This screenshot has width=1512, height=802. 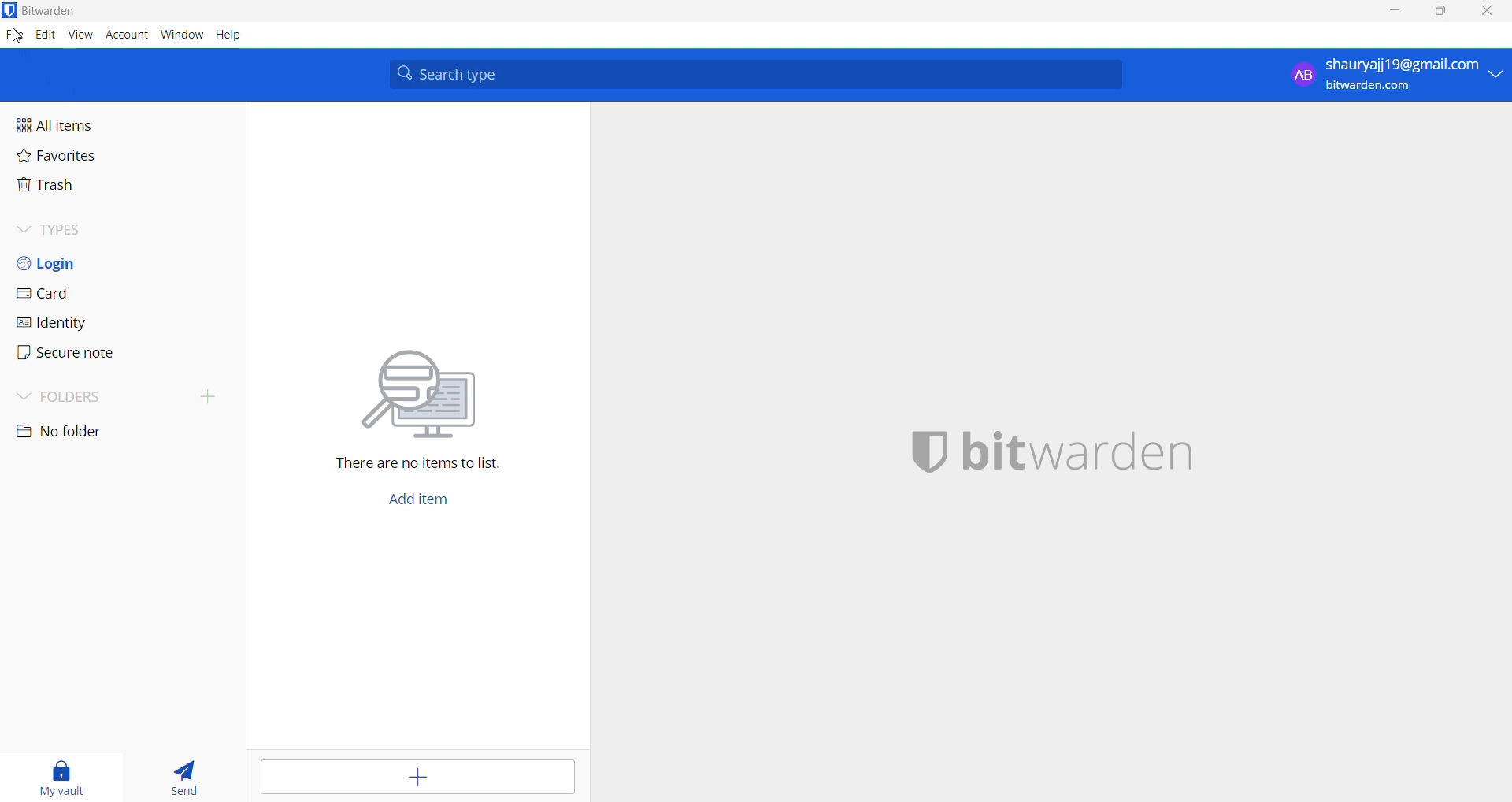 What do you see at coordinates (235, 36) in the screenshot?
I see `help` at bounding box center [235, 36].